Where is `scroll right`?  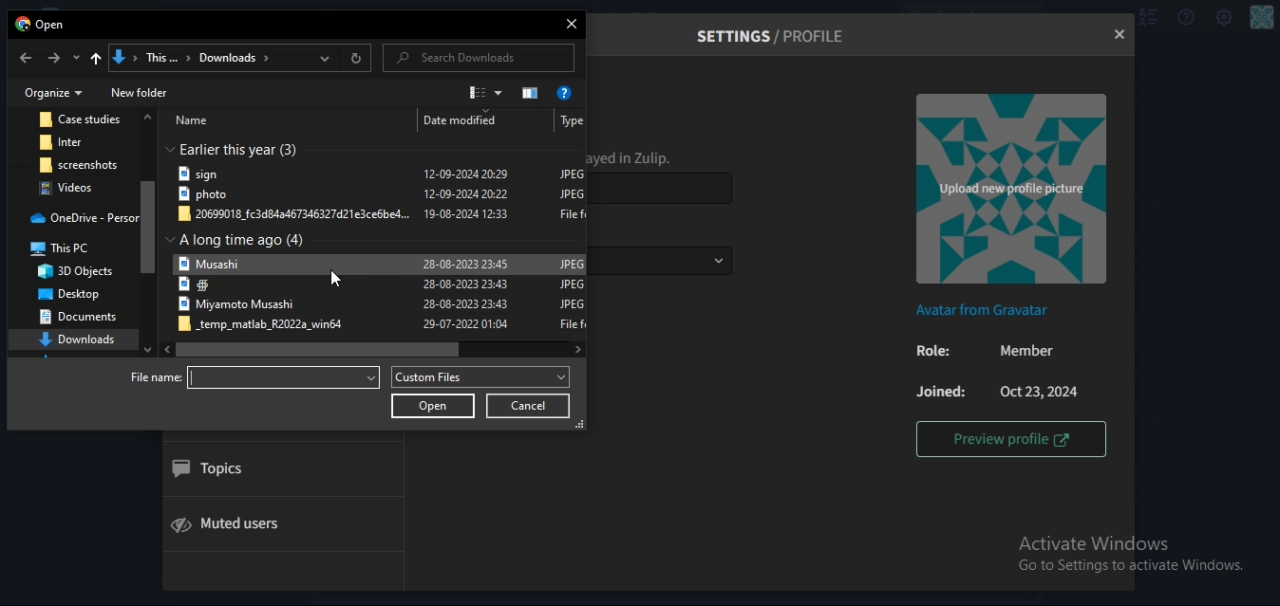
scroll right is located at coordinates (576, 348).